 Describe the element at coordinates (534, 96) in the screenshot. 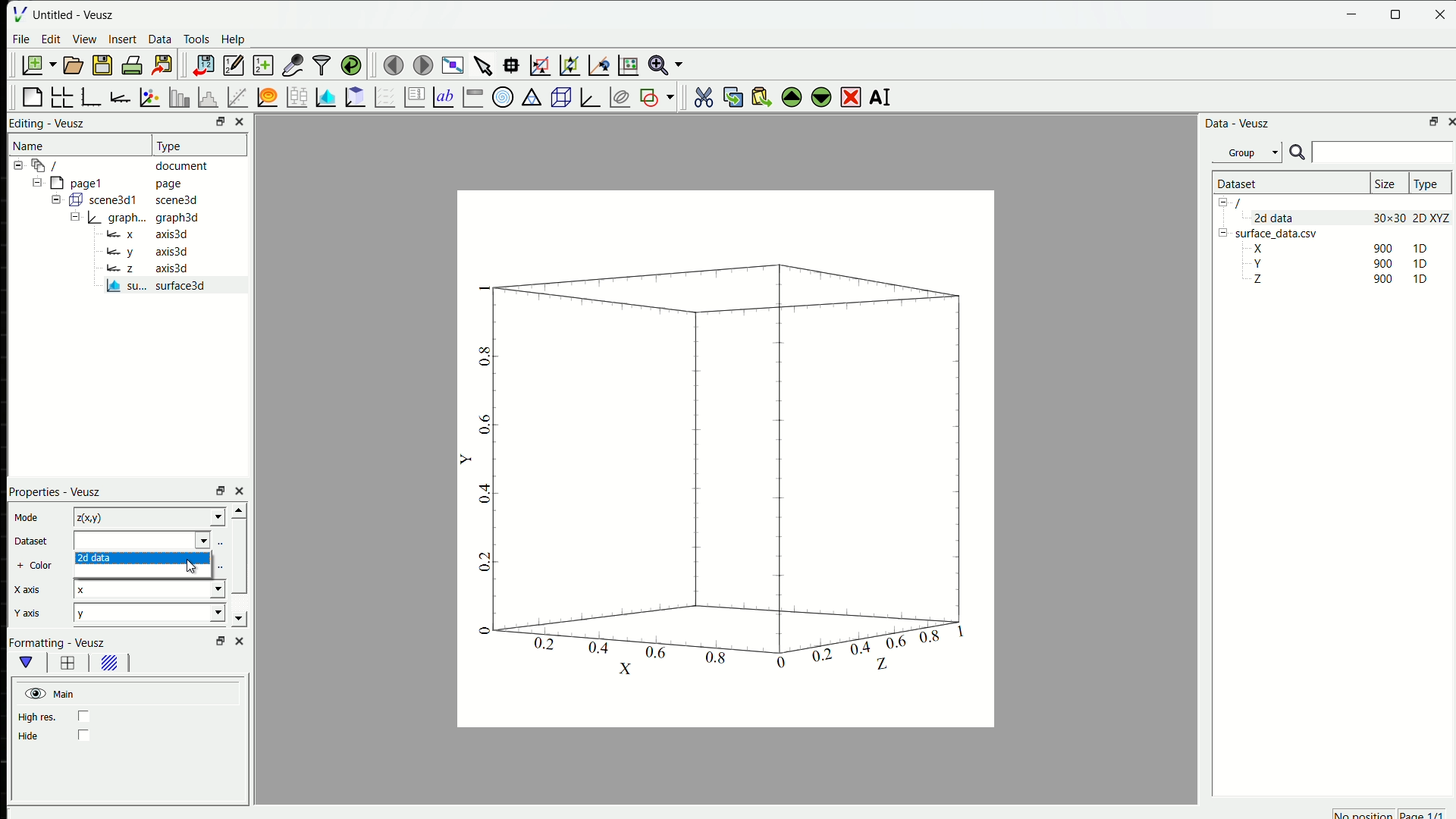

I see `ternary graph` at that location.